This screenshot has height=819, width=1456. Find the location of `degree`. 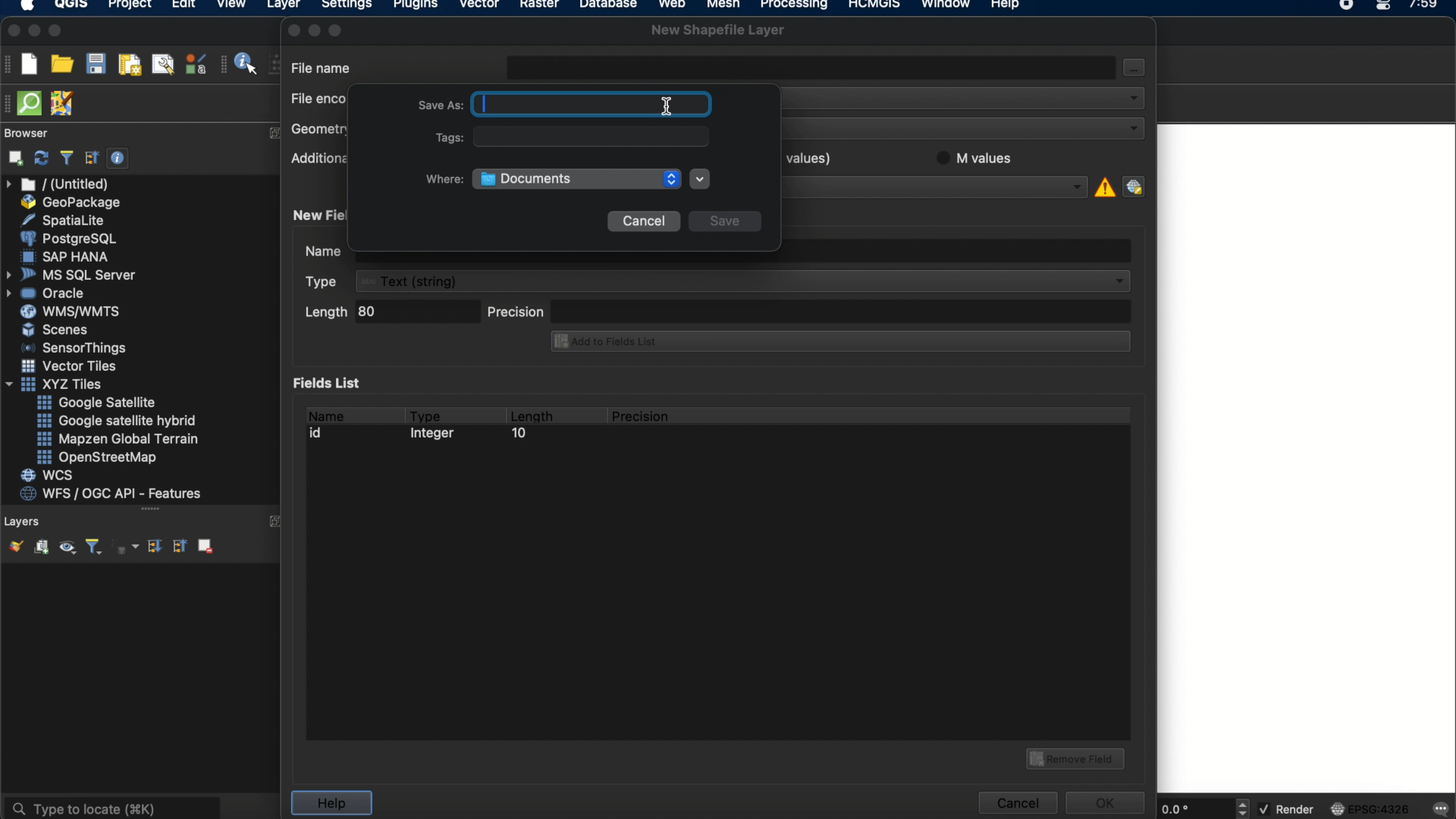

degree is located at coordinates (1192, 808).